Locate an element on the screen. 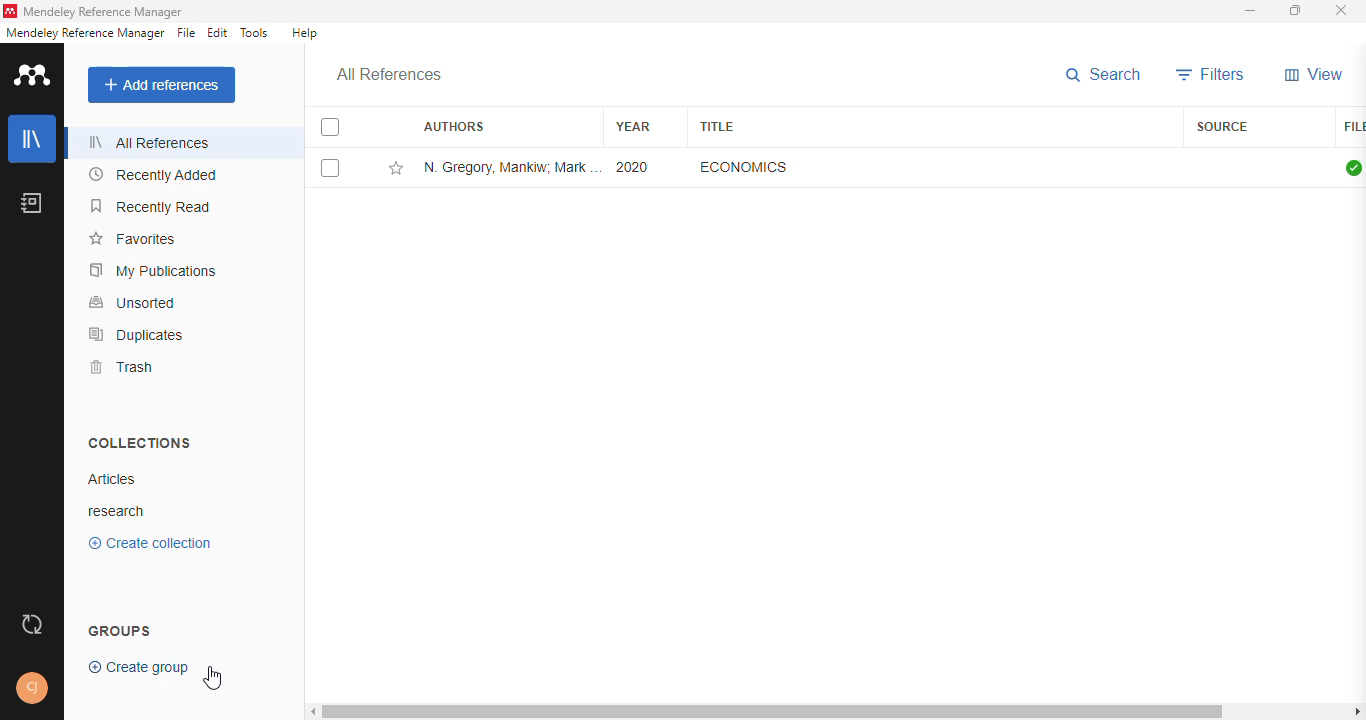  close is located at coordinates (1343, 11).